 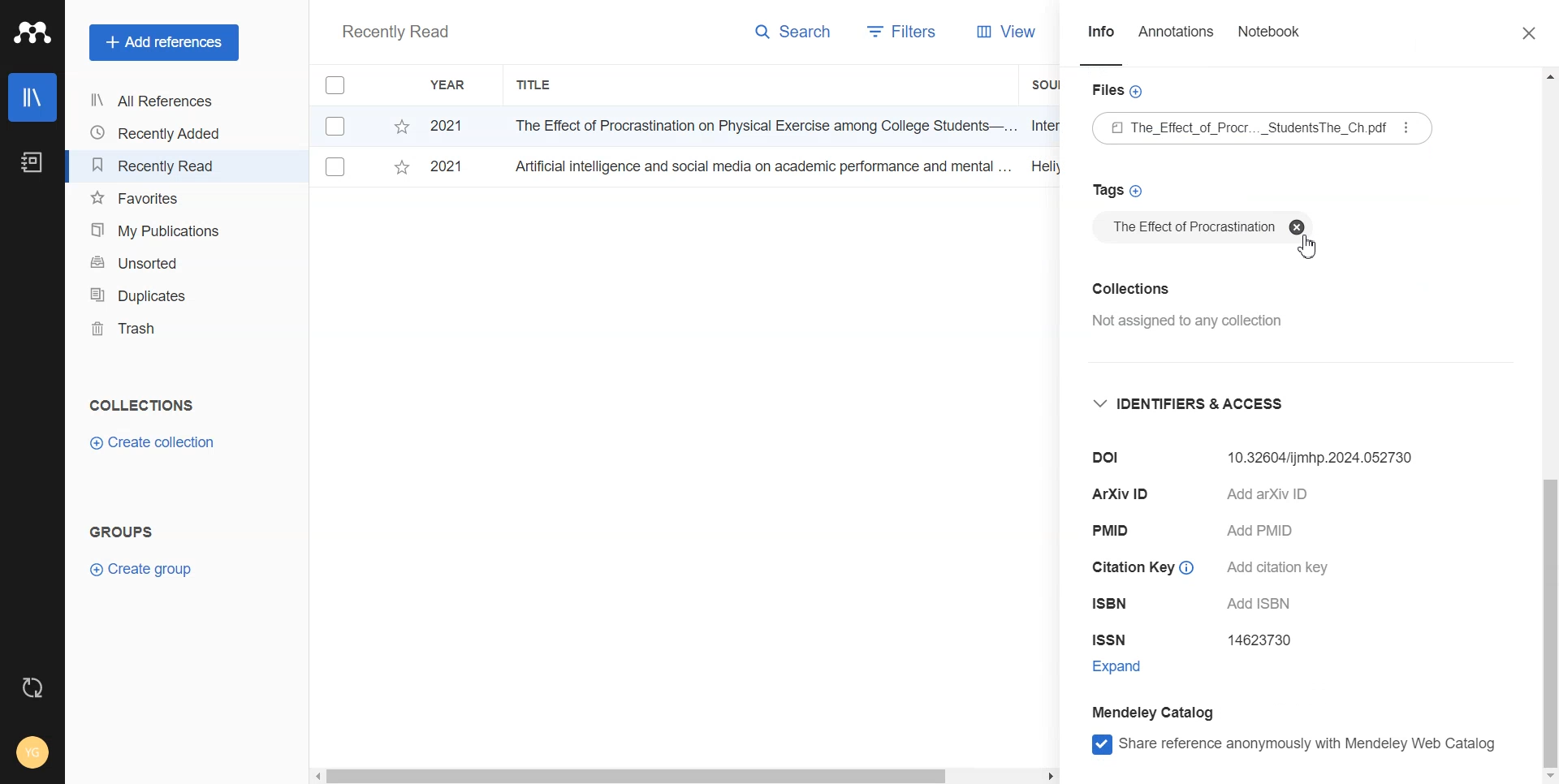 I want to click on Checkmarks, so click(x=338, y=85).